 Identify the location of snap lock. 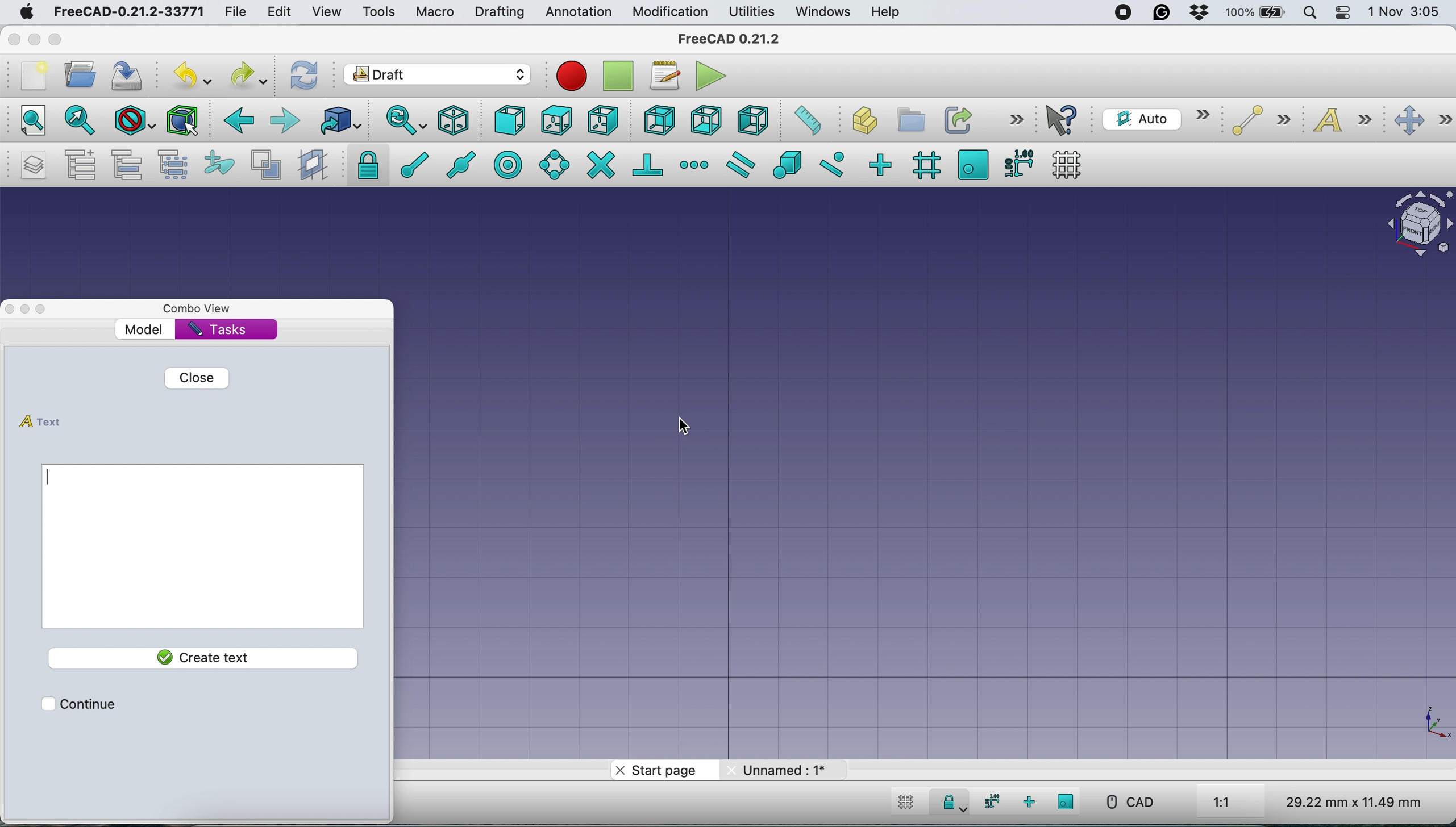
(949, 801).